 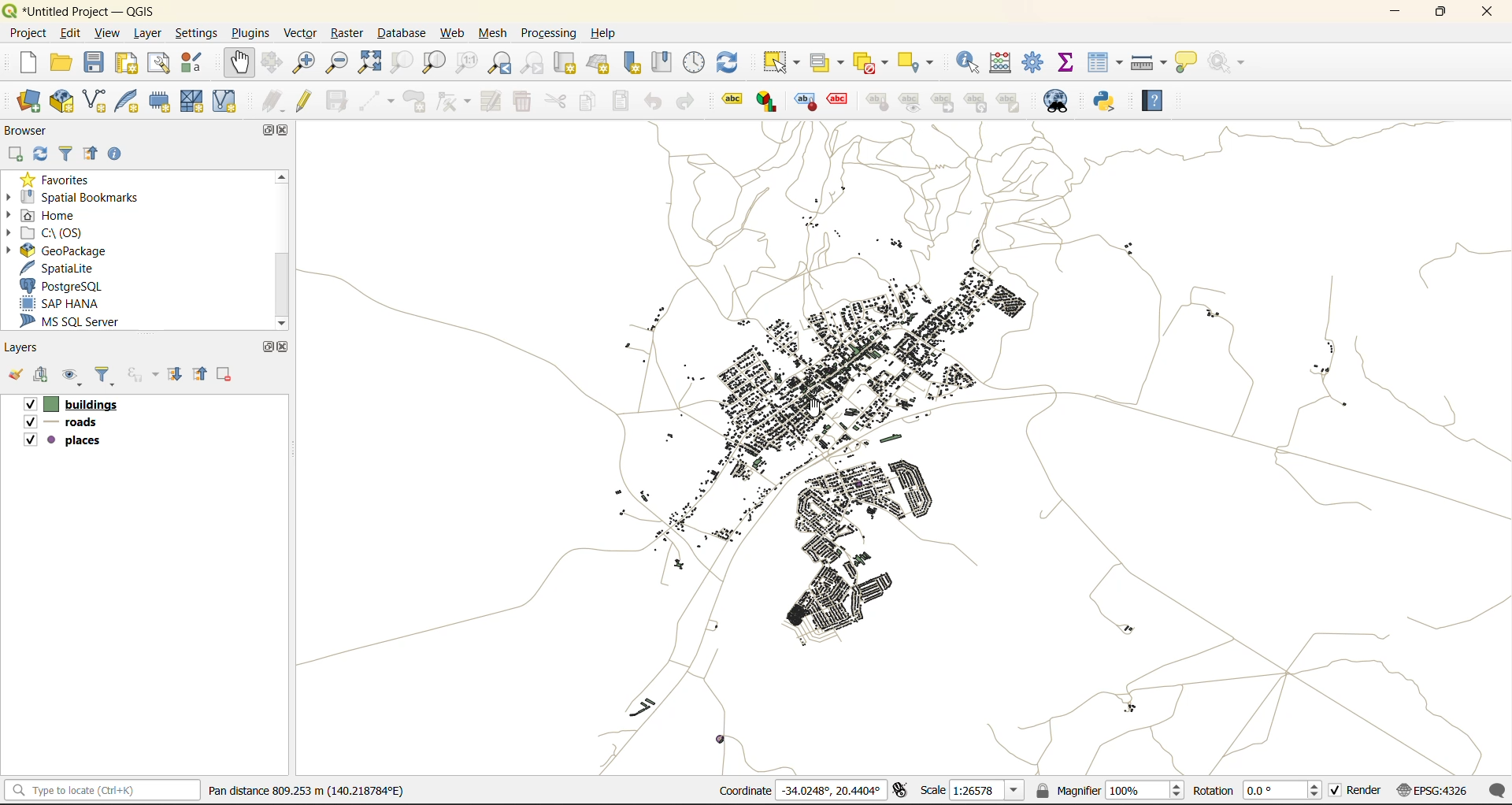 I want to click on geopackage, so click(x=80, y=250).